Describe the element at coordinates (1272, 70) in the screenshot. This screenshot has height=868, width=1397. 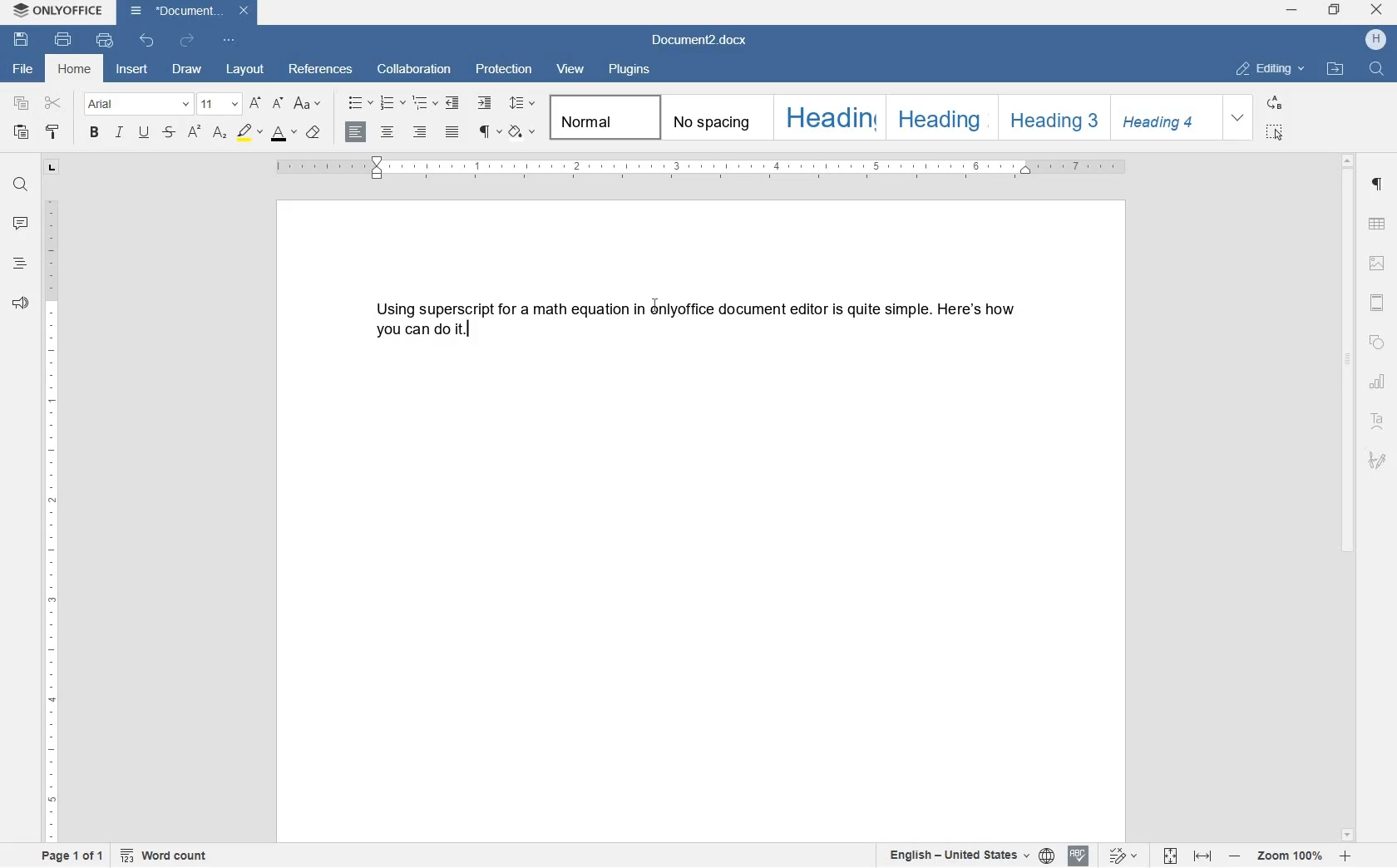
I see `EDITING` at that location.